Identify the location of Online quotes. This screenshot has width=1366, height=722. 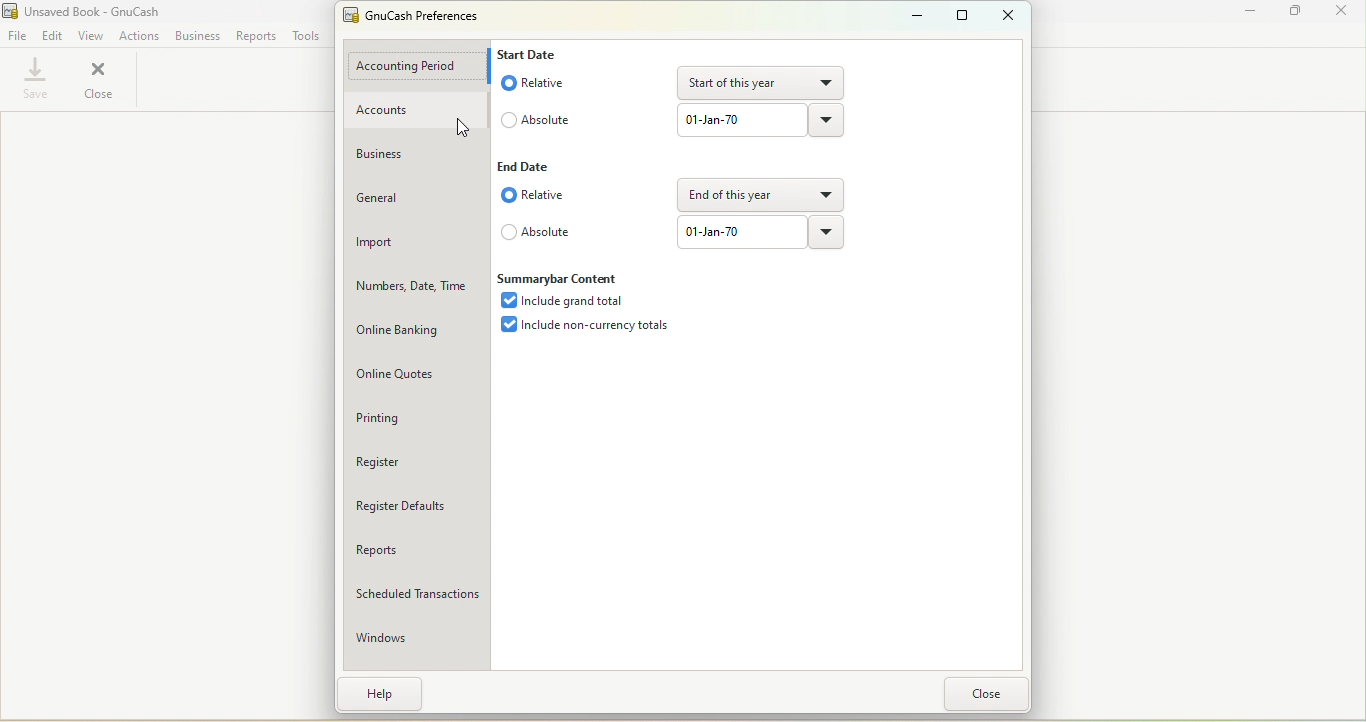
(412, 374).